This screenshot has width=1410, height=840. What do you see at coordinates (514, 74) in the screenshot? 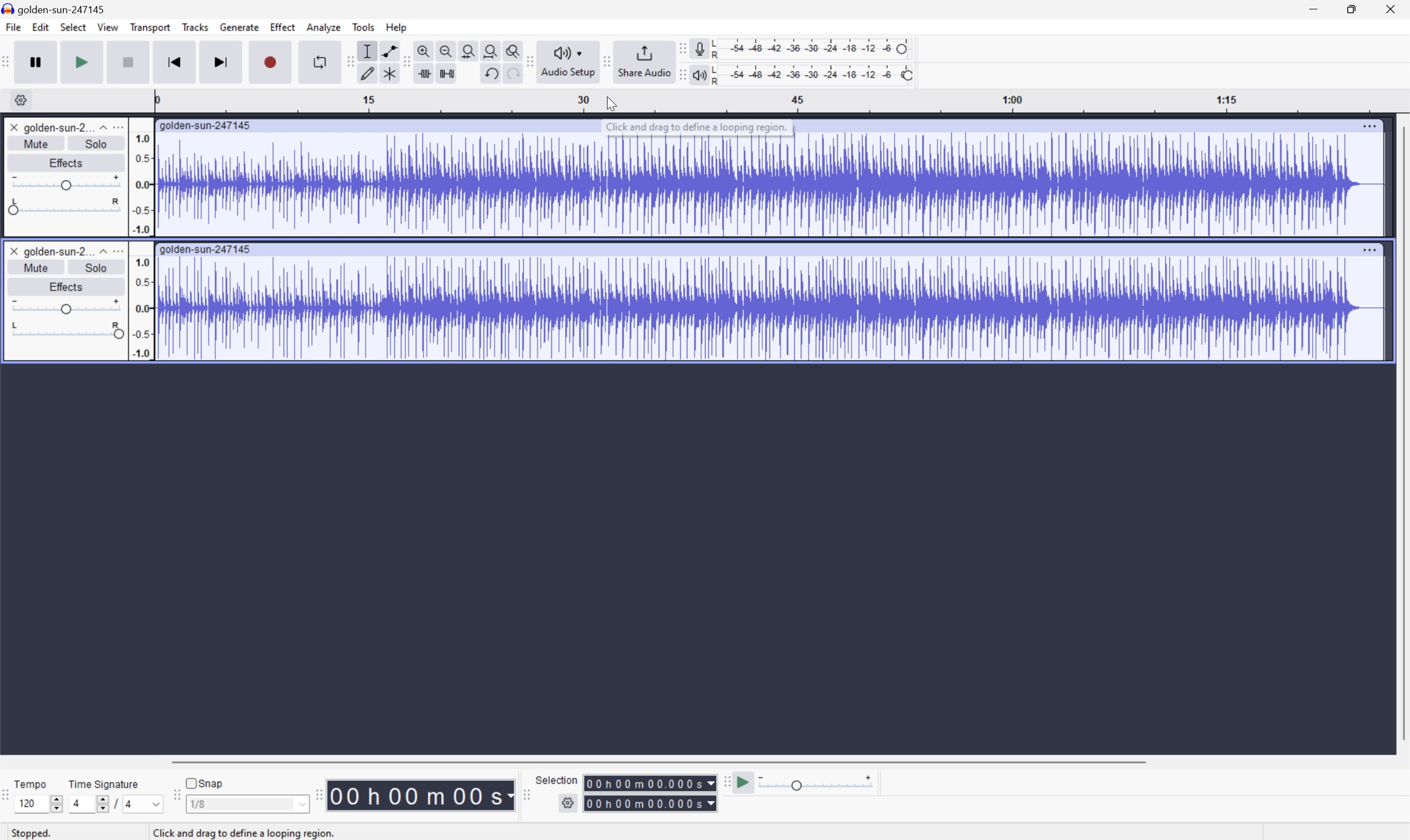
I see `Redo` at bounding box center [514, 74].